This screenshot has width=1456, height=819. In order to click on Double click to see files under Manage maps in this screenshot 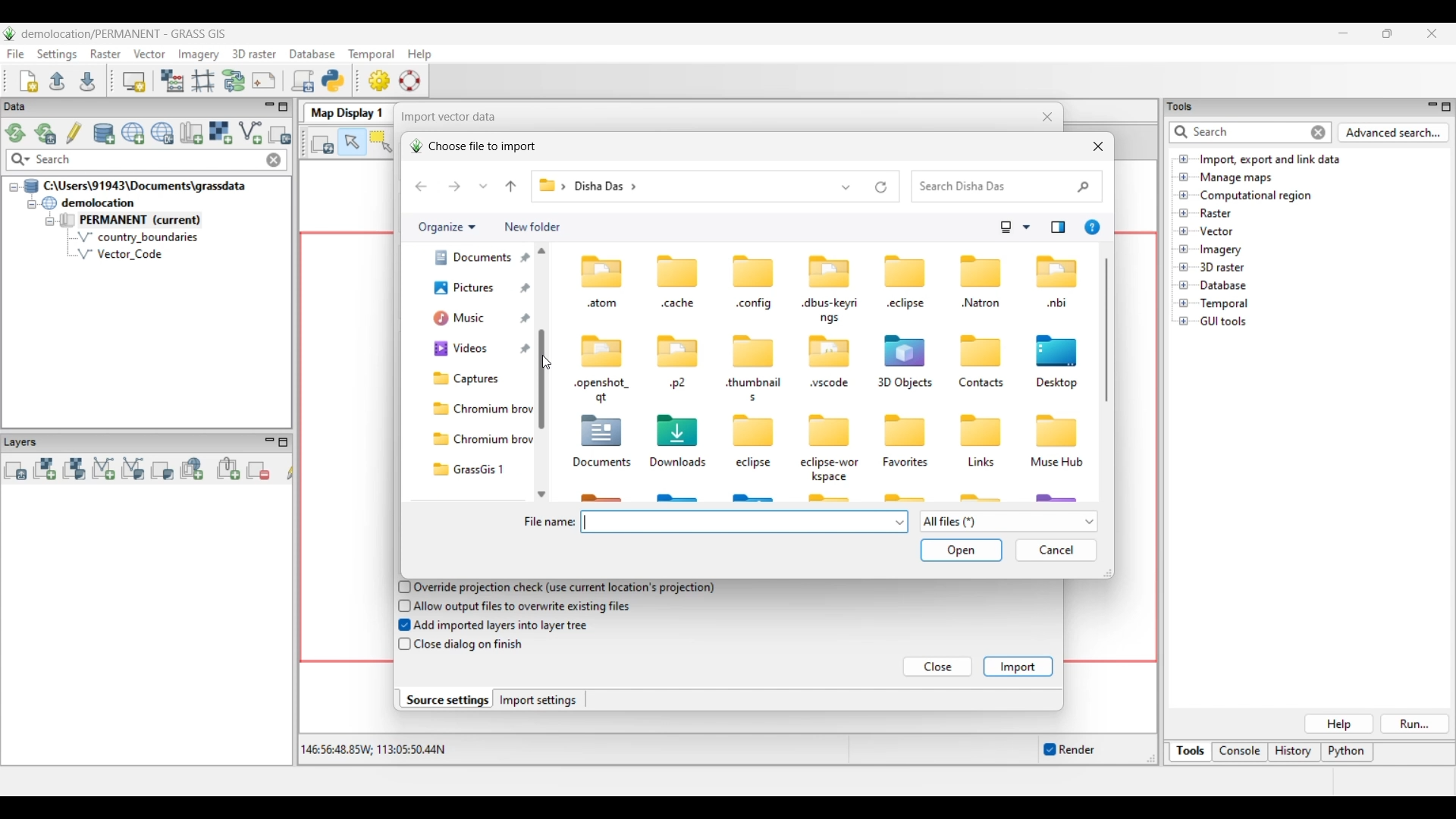, I will do `click(1237, 178)`.